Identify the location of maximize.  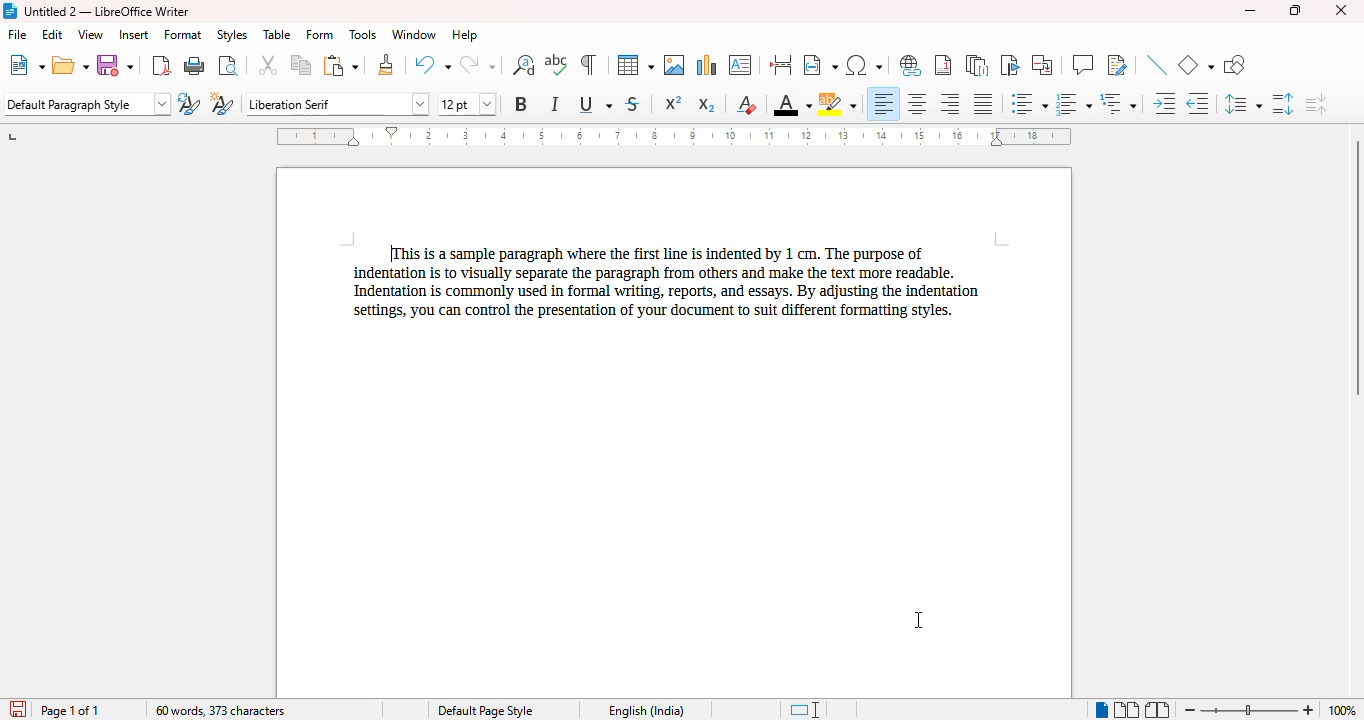
(1296, 10).